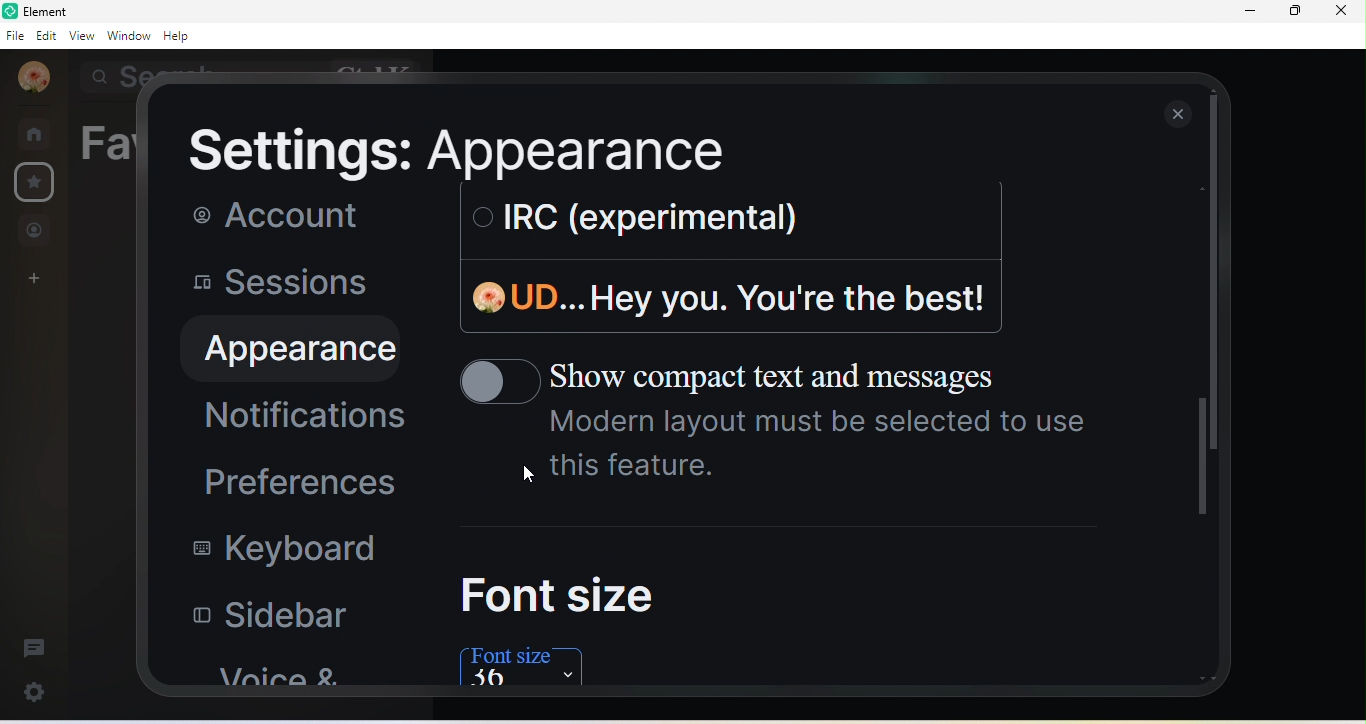  What do you see at coordinates (285, 349) in the screenshot?
I see `appearance` at bounding box center [285, 349].